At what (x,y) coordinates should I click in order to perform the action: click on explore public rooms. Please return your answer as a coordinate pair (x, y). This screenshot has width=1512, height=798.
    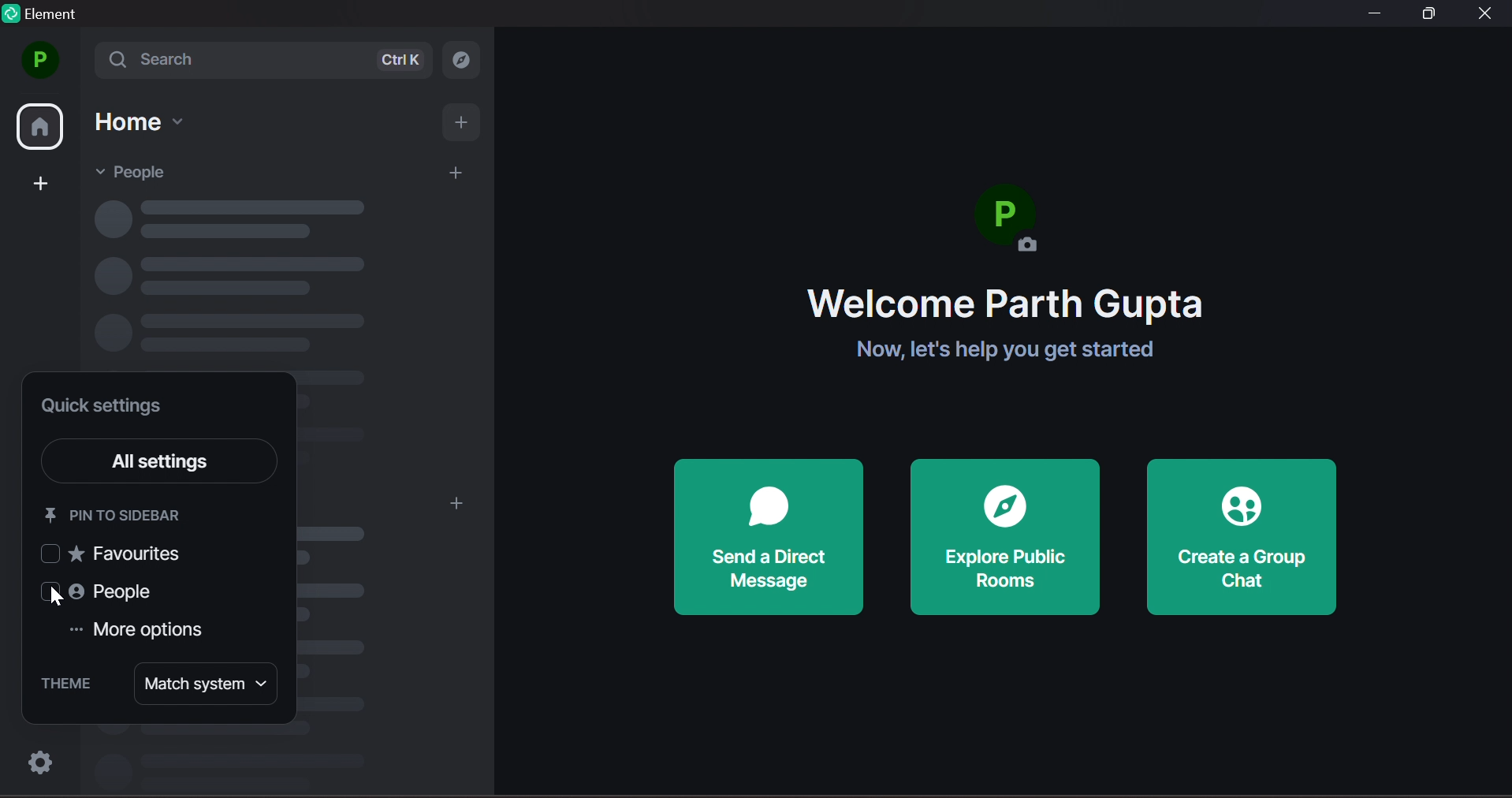
    Looking at the image, I should click on (1005, 537).